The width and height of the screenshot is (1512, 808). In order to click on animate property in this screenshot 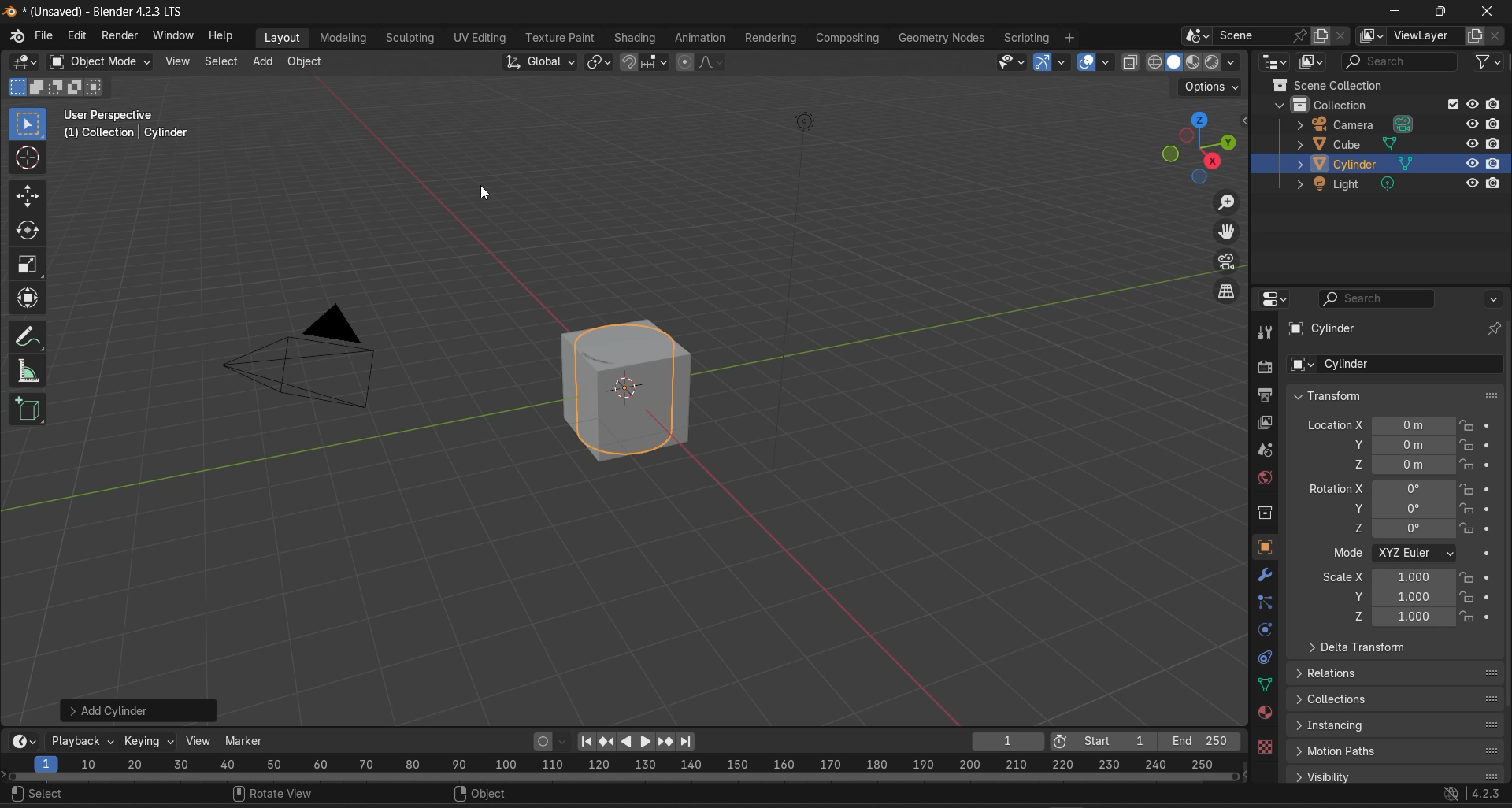, I will do `click(1493, 509)`.